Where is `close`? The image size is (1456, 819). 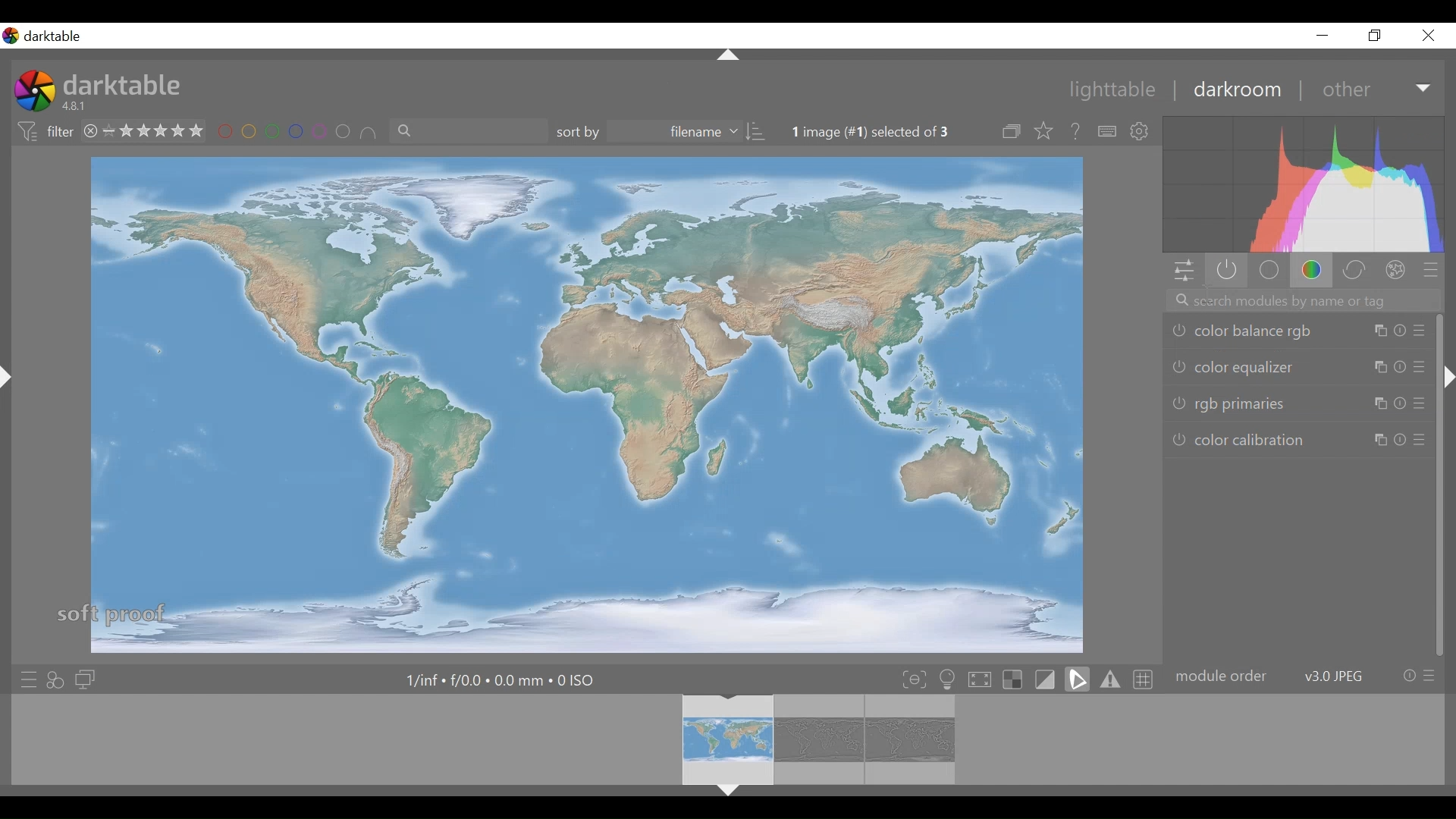 close is located at coordinates (1431, 36).